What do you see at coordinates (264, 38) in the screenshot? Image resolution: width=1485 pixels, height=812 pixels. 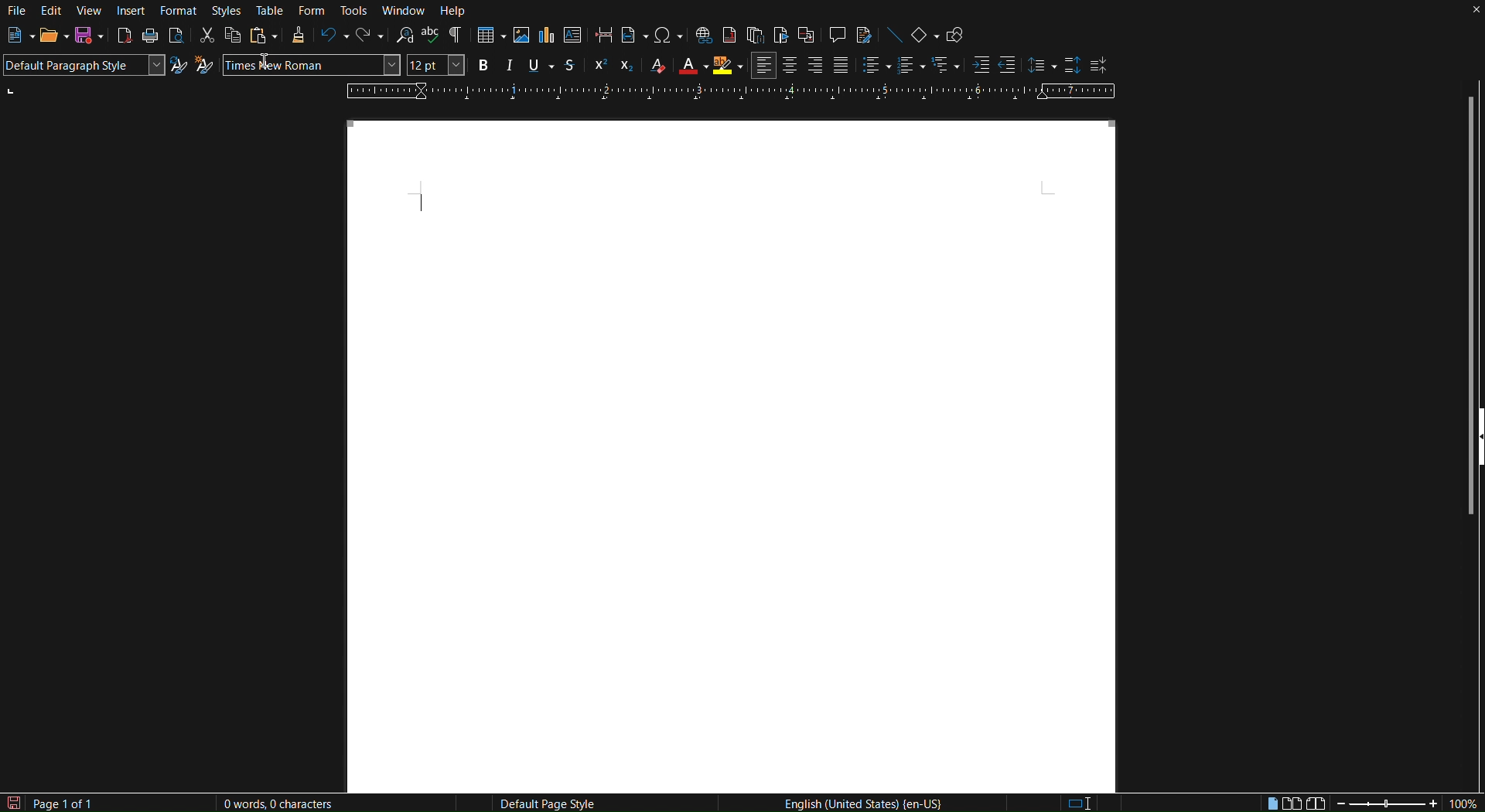 I see `Paste` at bounding box center [264, 38].